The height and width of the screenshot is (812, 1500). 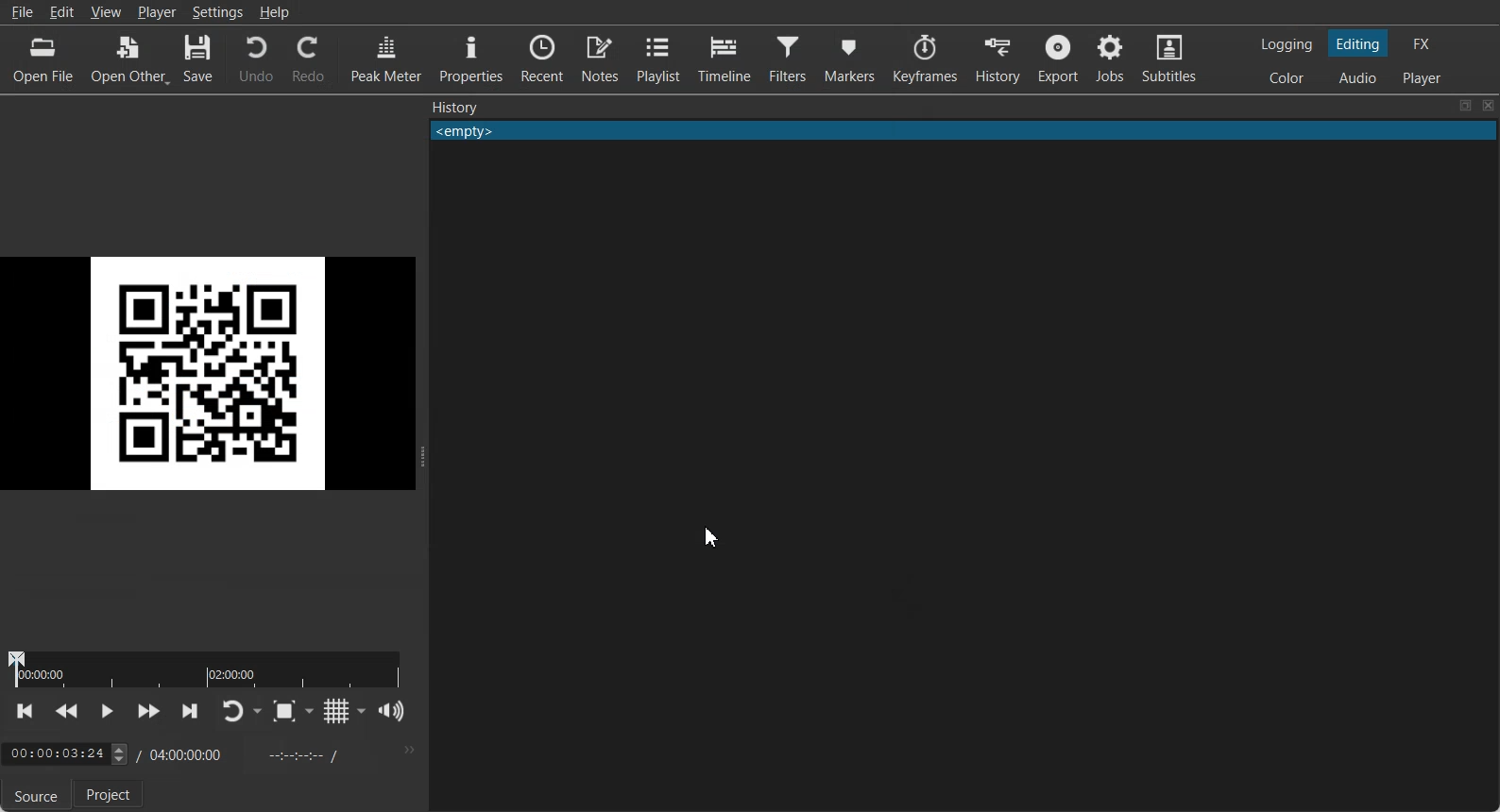 What do you see at coordinates (26, 711) in the screenshot?
I see `Skip to previous point` at bounding box center [26, 711].